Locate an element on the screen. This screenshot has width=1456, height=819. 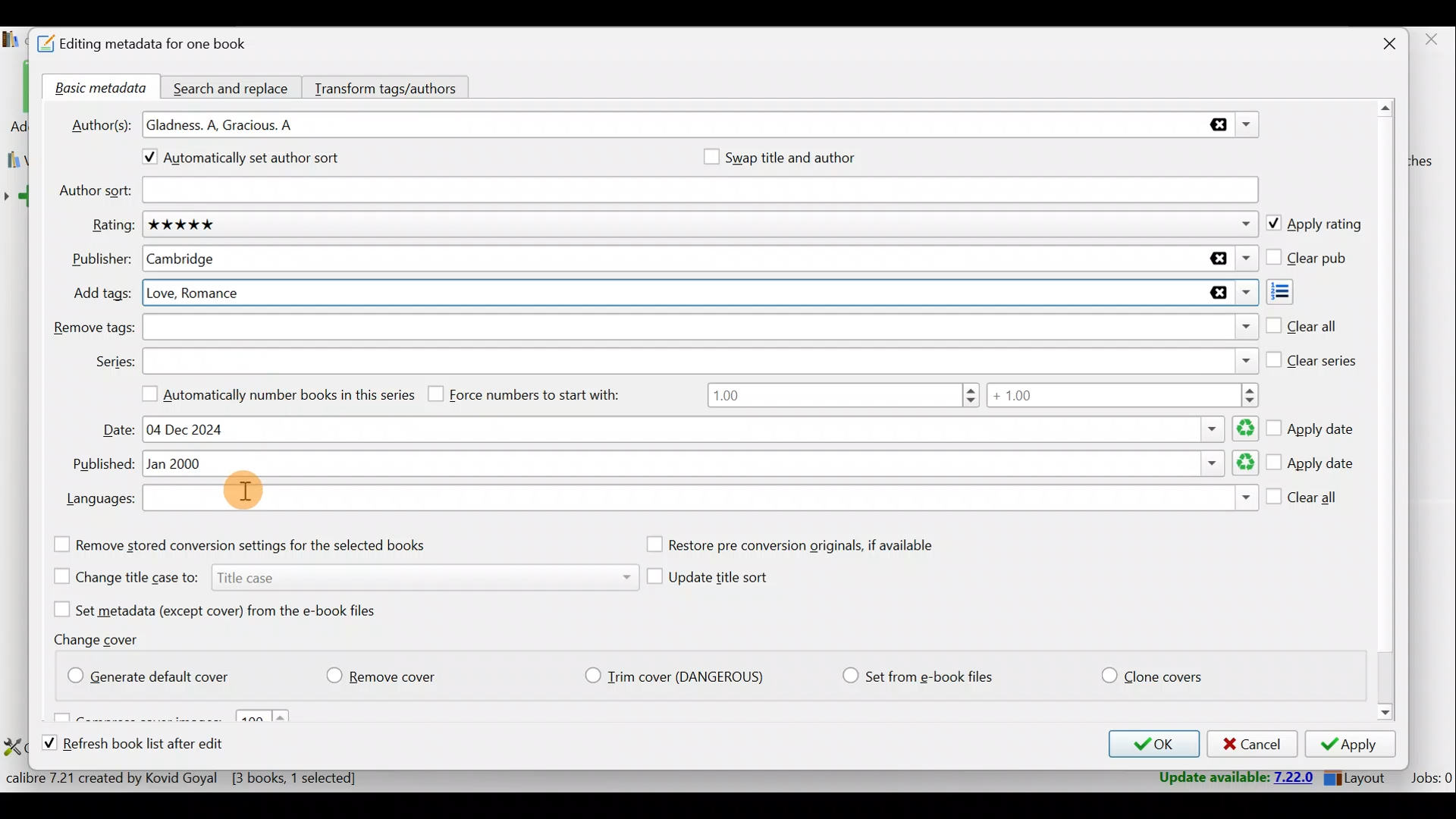
Publisher is located at coordinates (699, 260).